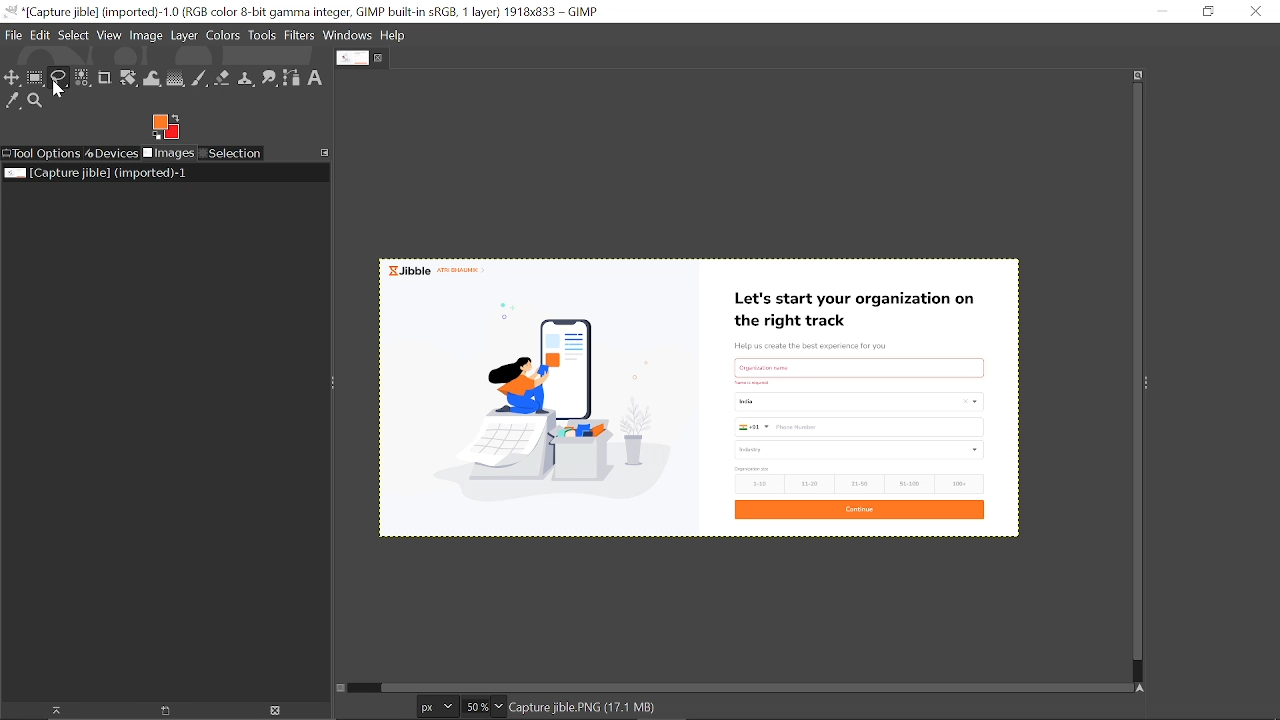 The width and height of the screenshot is (1280, 720). Describe the element at coordinates (58, 78) in the screenshot. I see `Free select tool` at that location.